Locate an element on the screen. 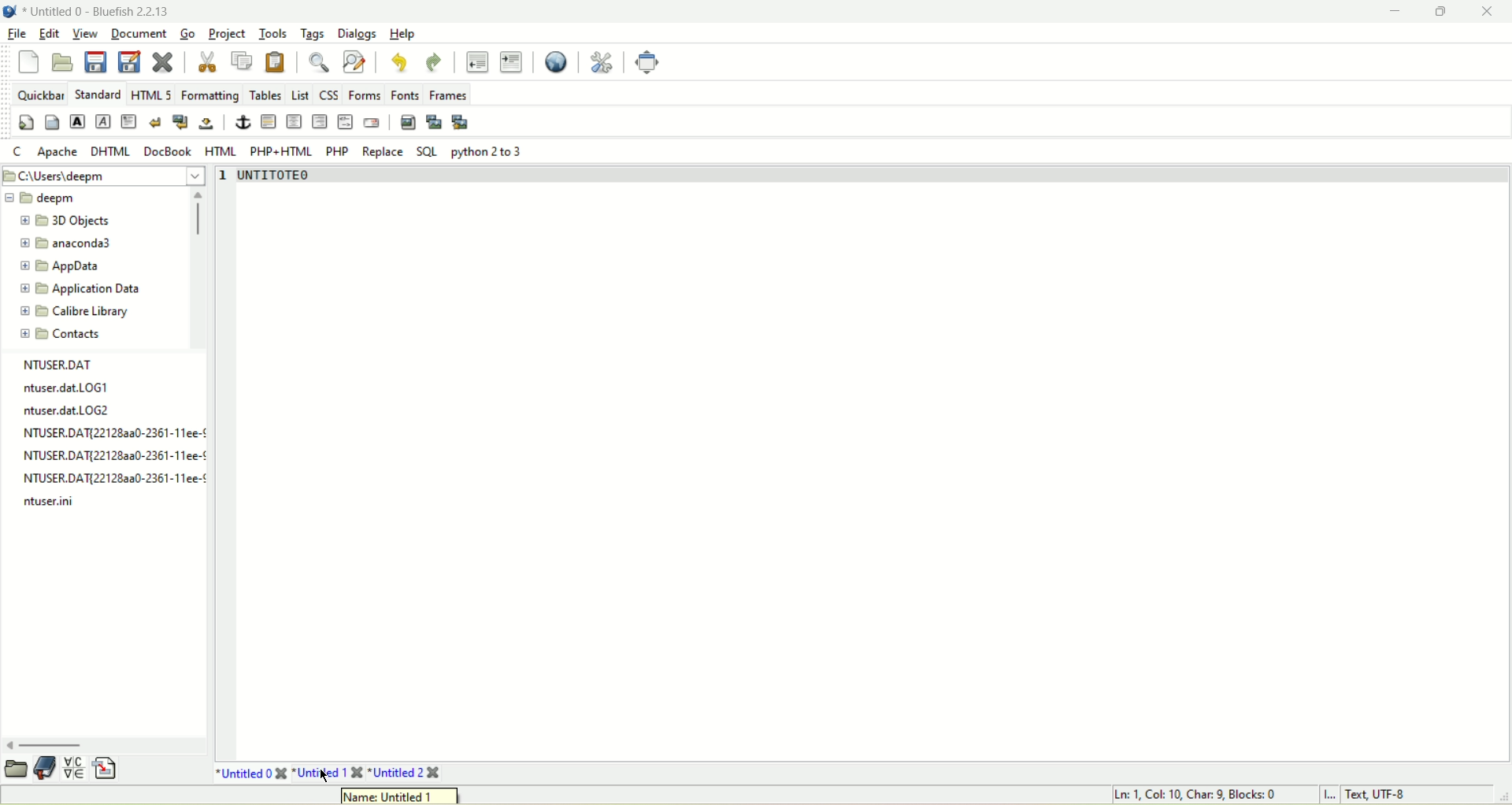 Image resolution: width=1512 pixels, height=805 pixels. DHTML is located at coordinates (109, 153).